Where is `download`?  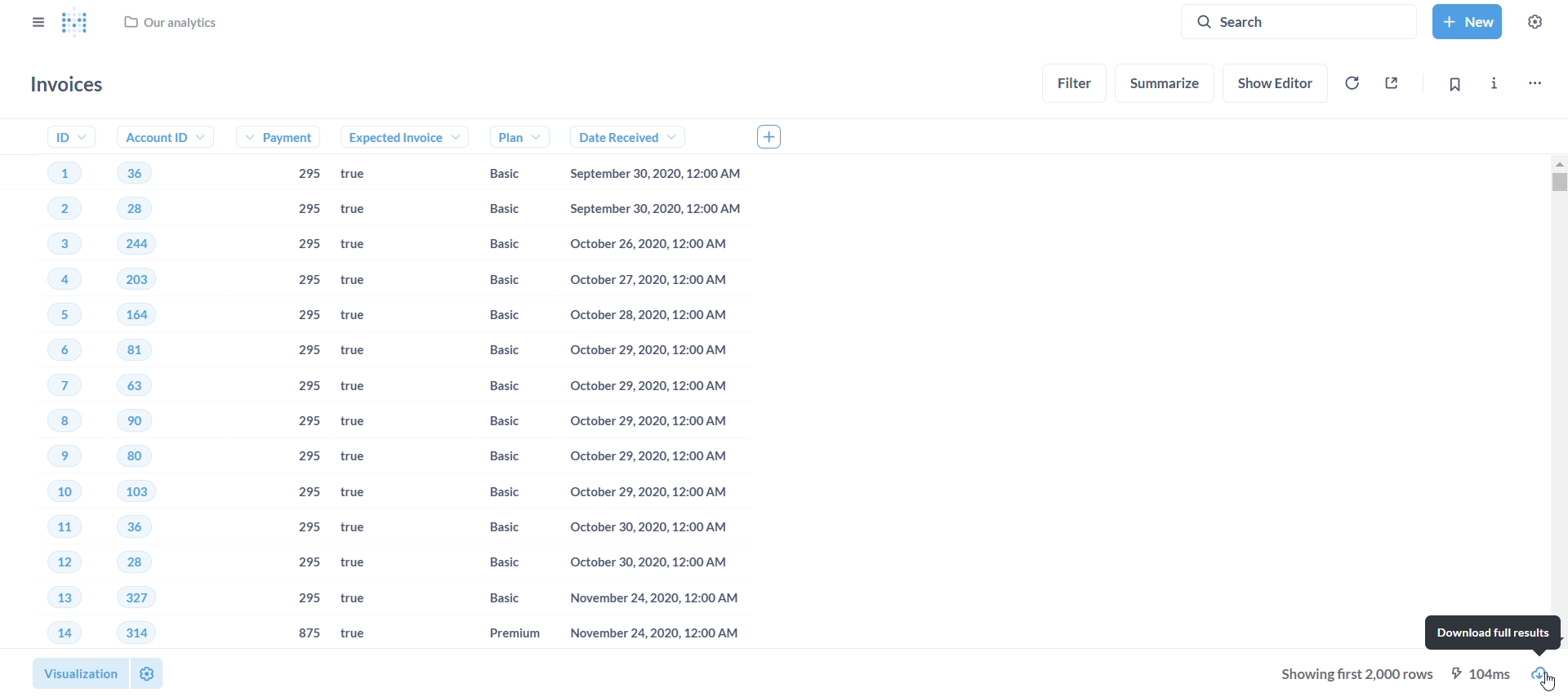
download is located at coordinates (1548, 673).